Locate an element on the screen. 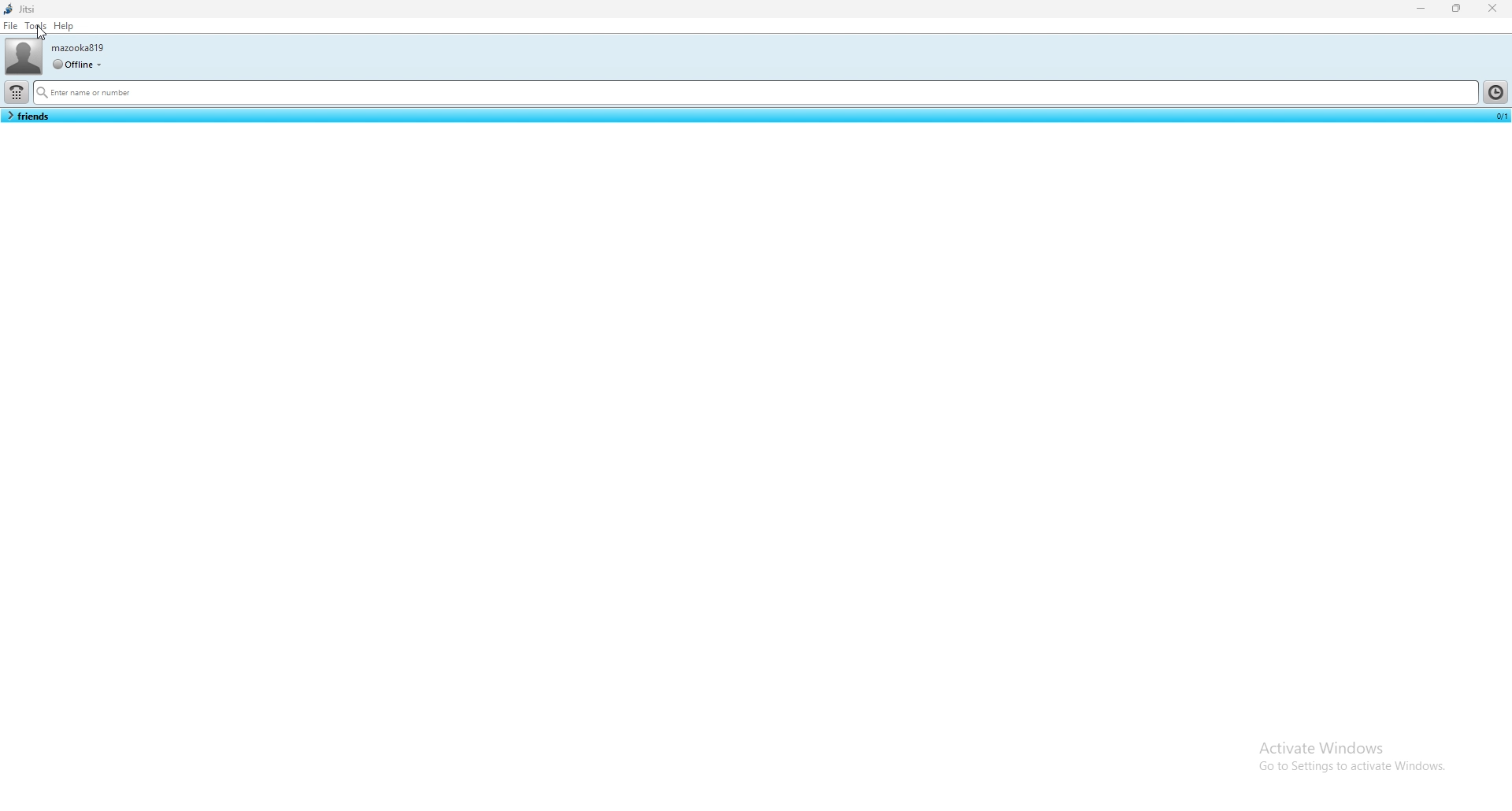 Image resolution: width=1512 pixels, height=811 pixels. user photo is located at coordinates (23, 56).